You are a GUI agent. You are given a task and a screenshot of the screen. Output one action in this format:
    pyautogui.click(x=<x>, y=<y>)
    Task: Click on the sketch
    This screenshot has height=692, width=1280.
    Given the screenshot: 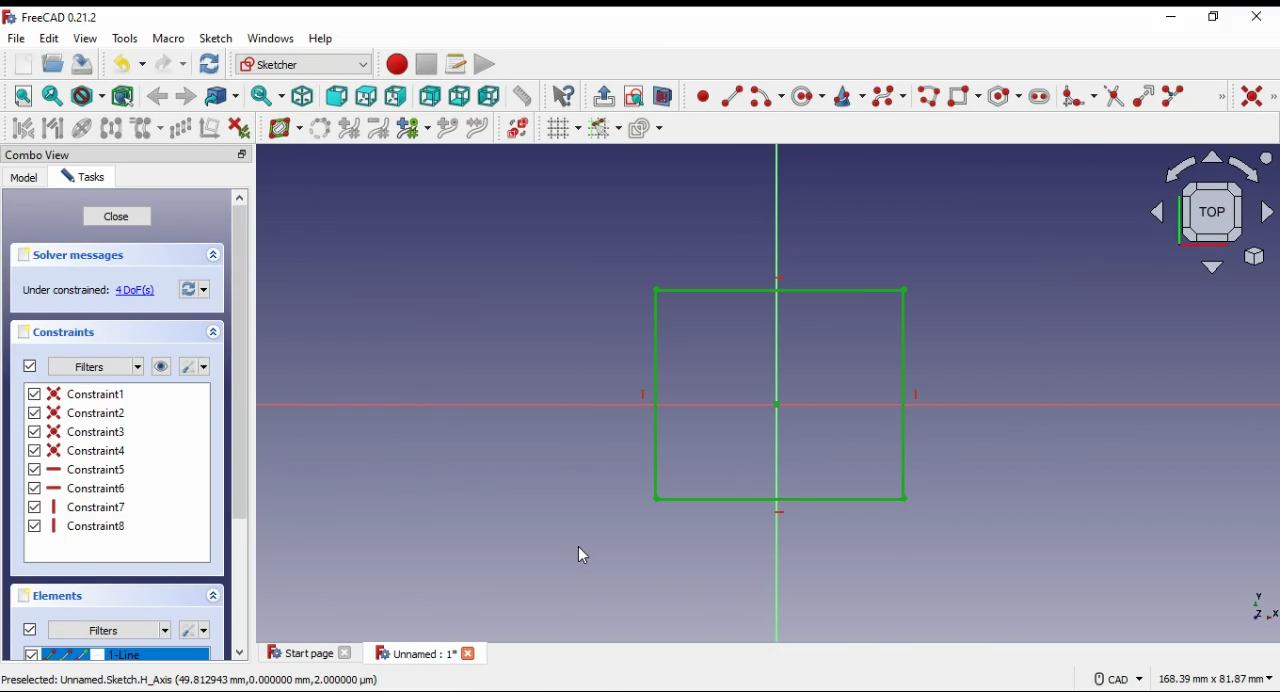 What is the action you would take?
    pyautogui.click(x=217, y=39)
    